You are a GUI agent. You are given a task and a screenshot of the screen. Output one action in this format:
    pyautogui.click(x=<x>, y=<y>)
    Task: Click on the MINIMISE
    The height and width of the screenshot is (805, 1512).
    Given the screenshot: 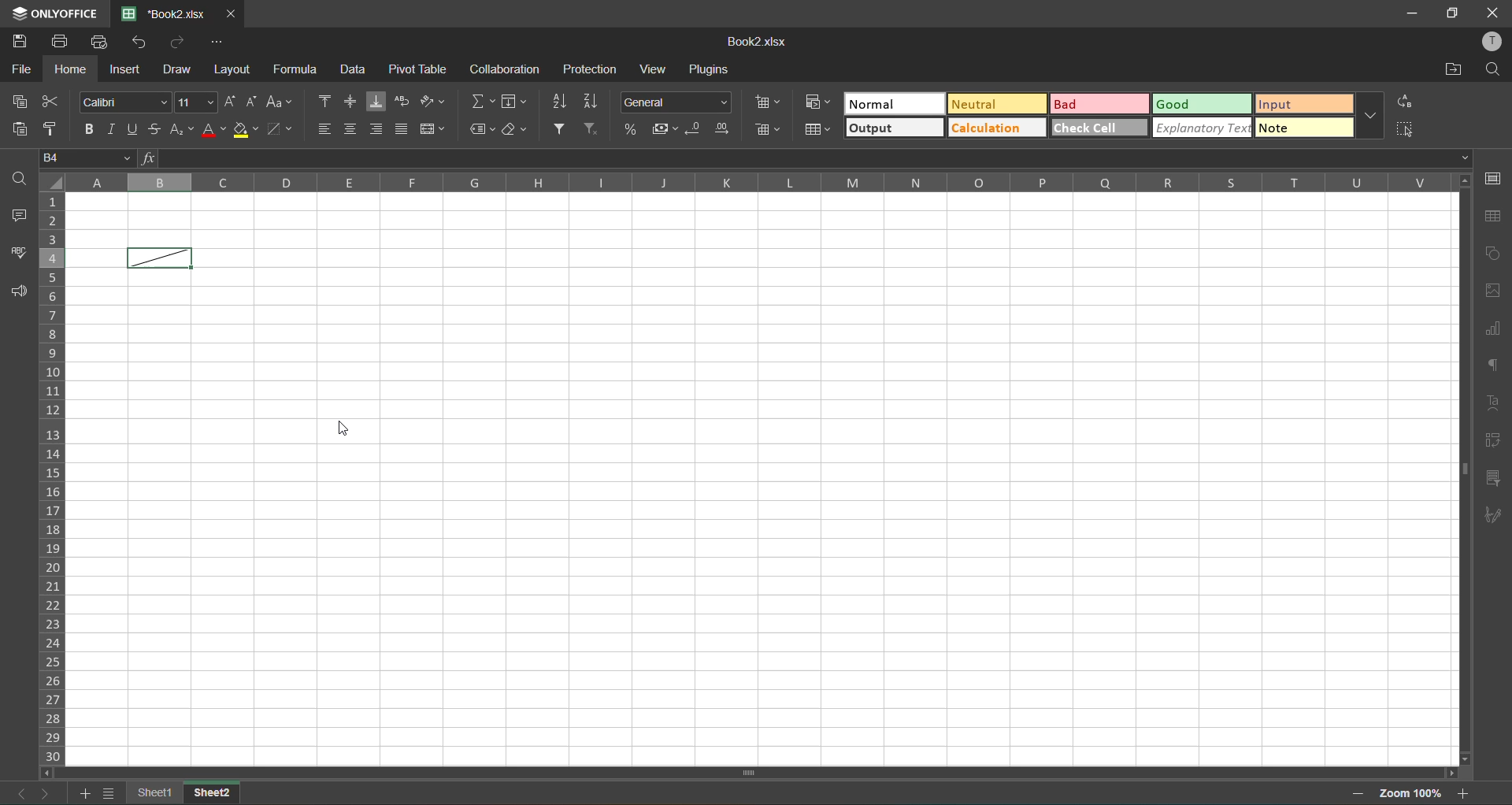 What is the action you would take?
    pyautogui.click(x=1410, y=15)
    